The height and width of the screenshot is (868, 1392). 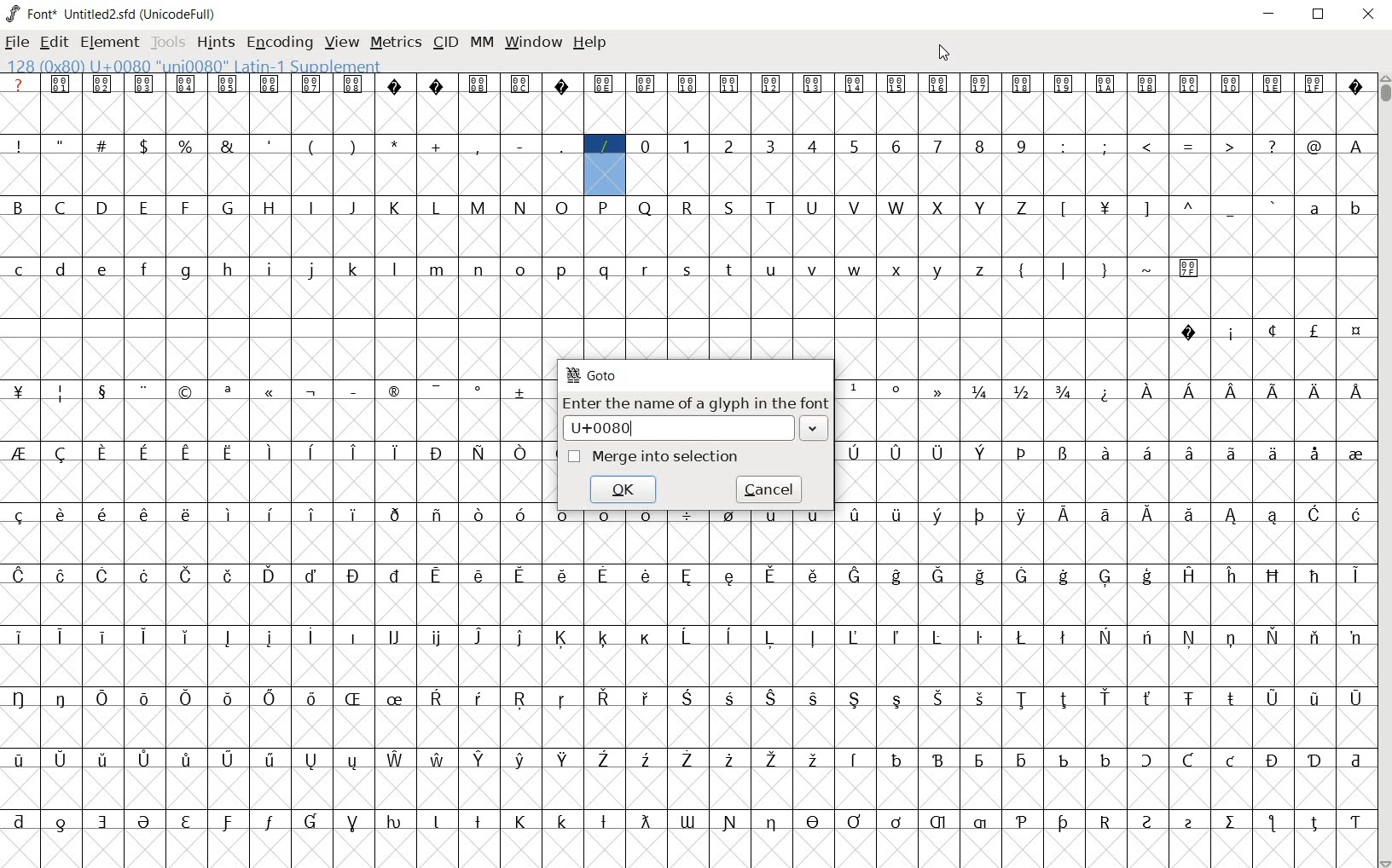 What do you see at coordinates (1189, 699) in the screenshot?
I see `glyph` at bounding box center [1189, 699].